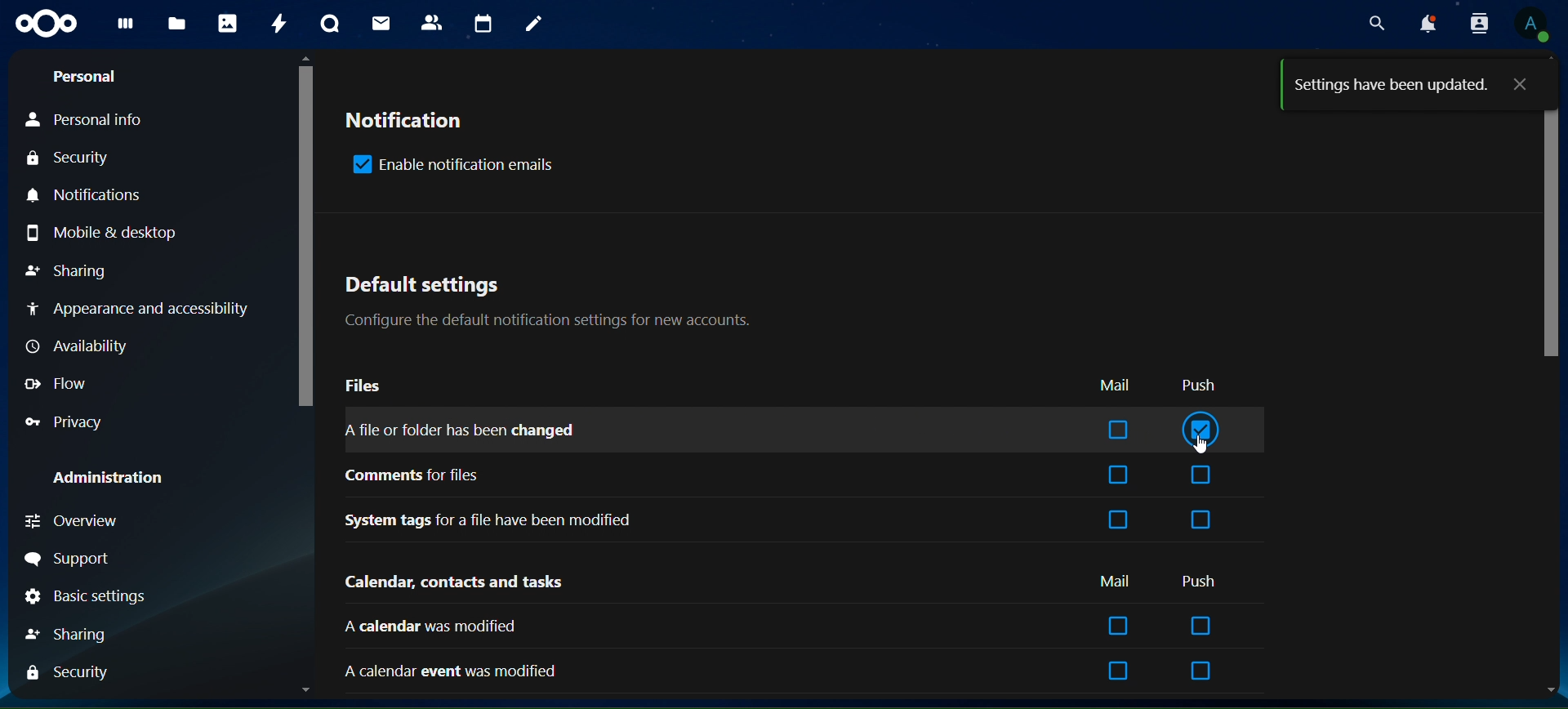 The height and width of the screenshot is (709, 1568). What do you see at coordinates (1118, 431) in the screenshot?
I see `box` at bounding box center [1118, 431].